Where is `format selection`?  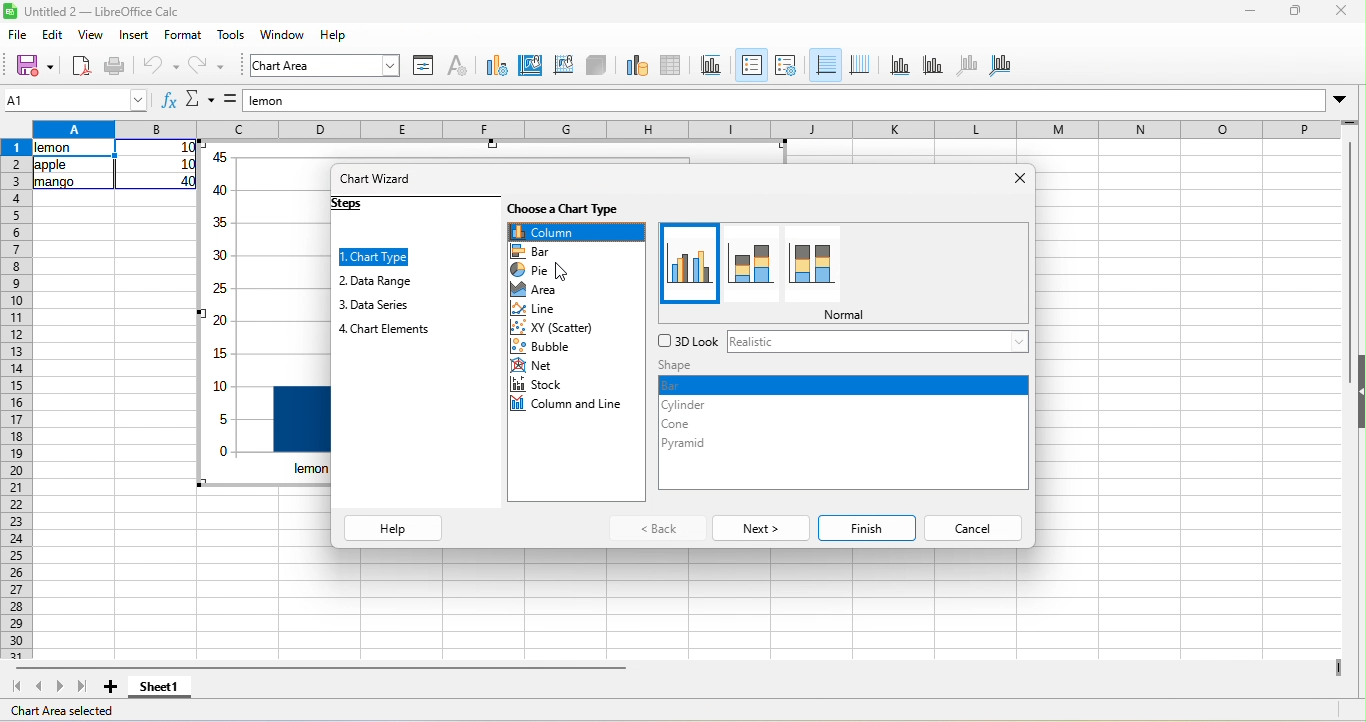 format selection is located at coordinates (426, 67).